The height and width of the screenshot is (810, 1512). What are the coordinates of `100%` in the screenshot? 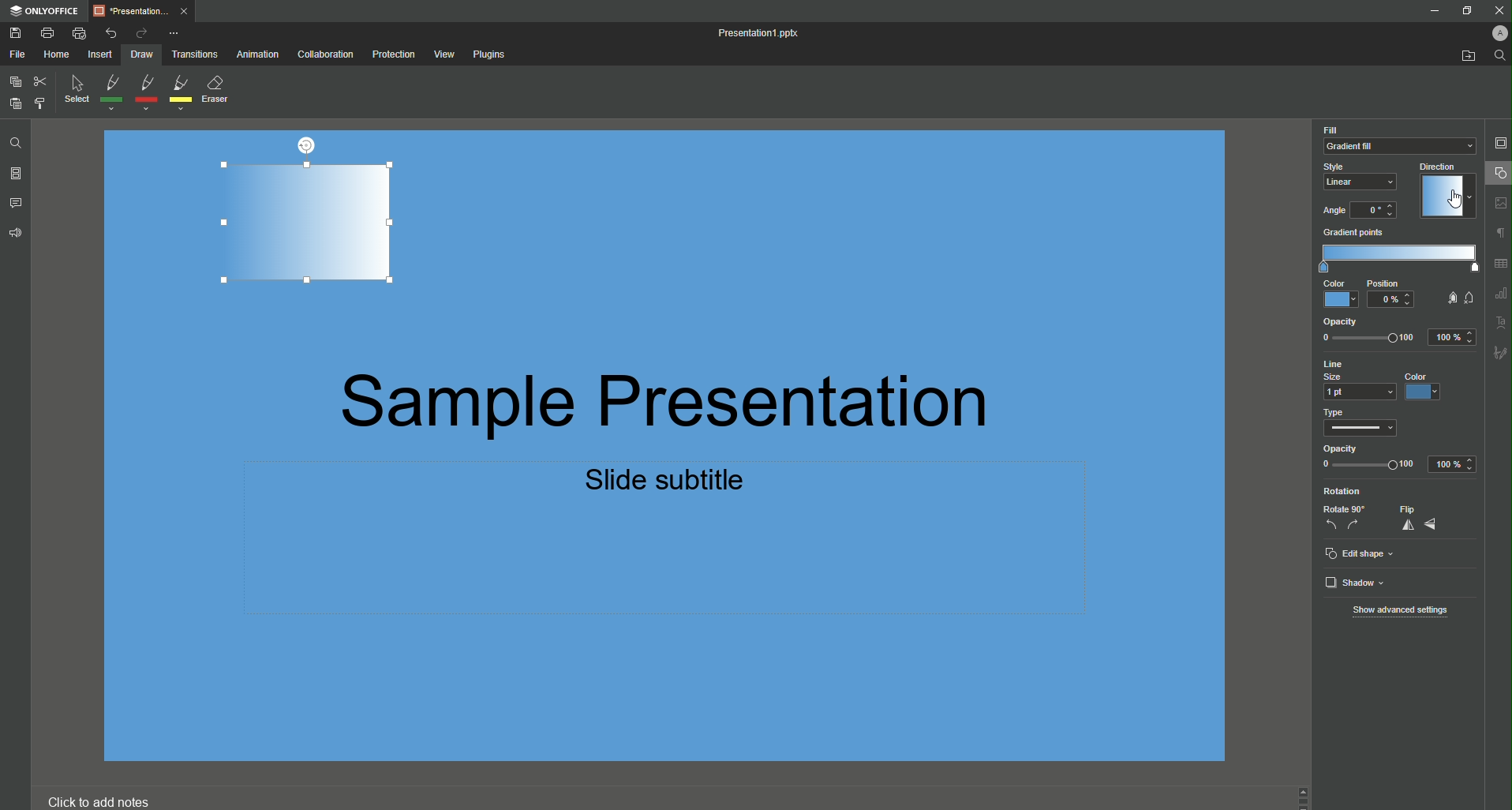 It's located at (1456, 464).